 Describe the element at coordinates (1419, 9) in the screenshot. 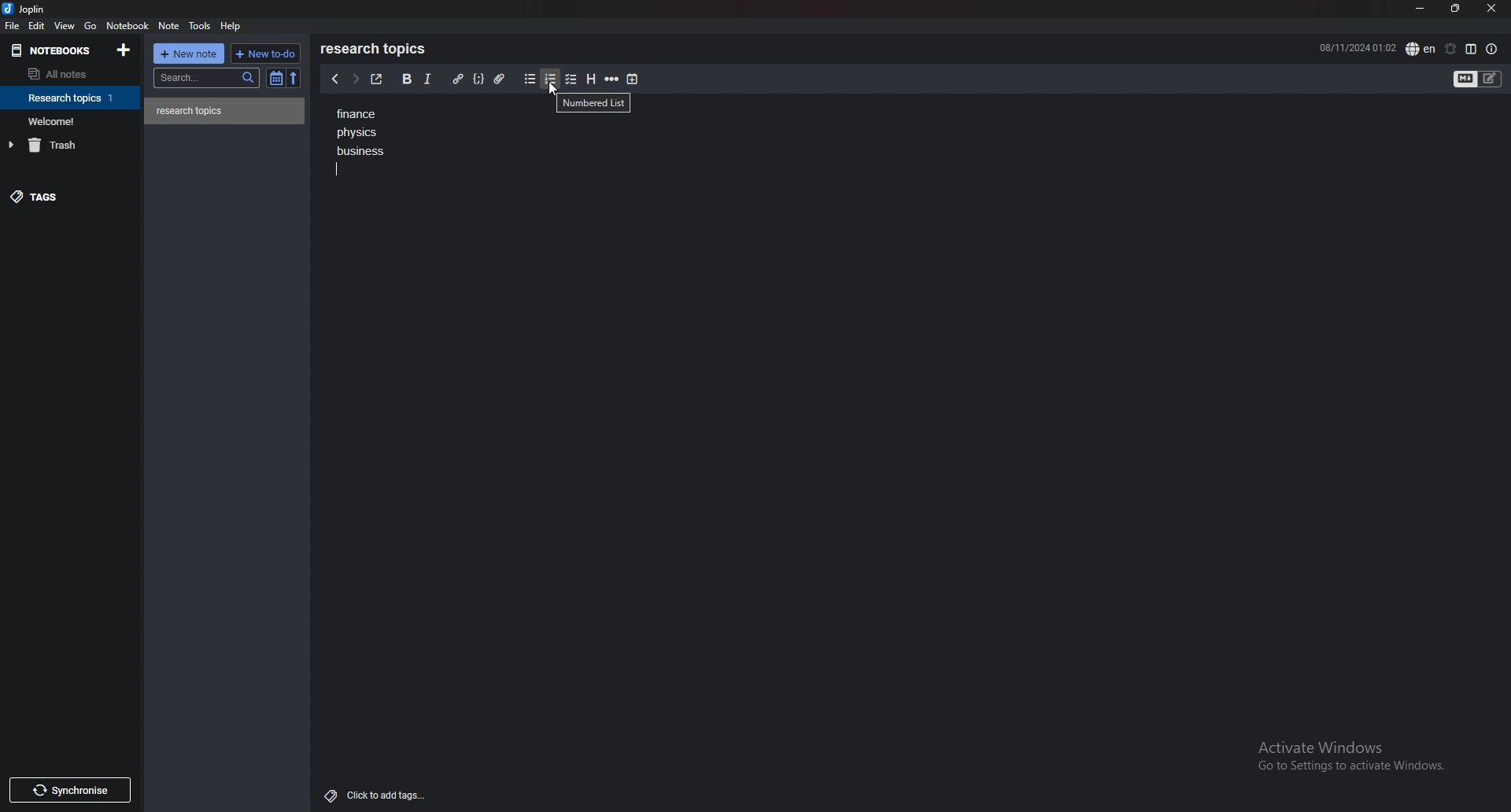

I see `minimize` at that location.